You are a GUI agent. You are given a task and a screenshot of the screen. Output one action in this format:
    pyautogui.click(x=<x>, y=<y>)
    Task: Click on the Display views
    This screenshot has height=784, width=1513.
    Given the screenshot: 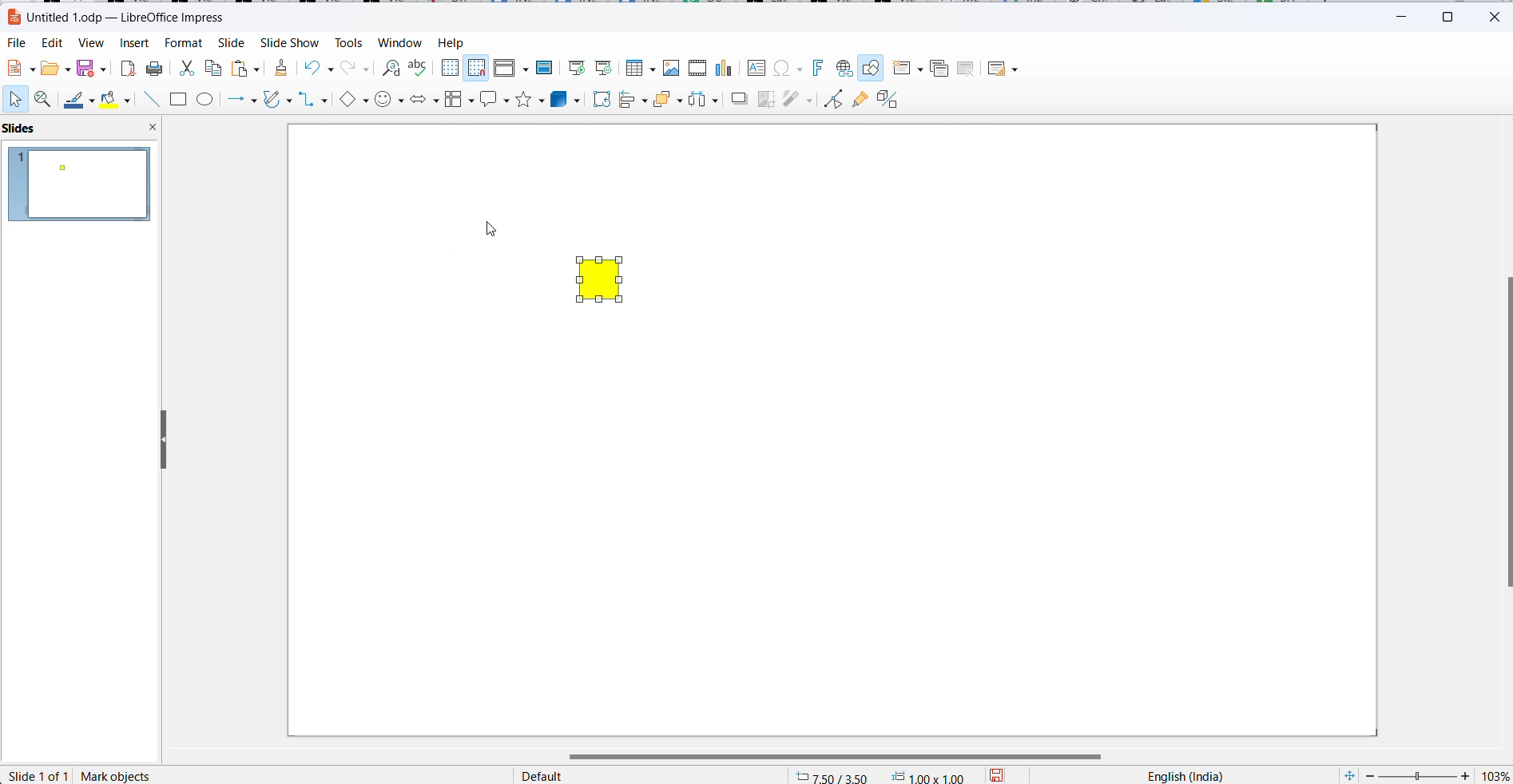 What is the action you would take?
    pyautogui.click(x=510, y=66)
    